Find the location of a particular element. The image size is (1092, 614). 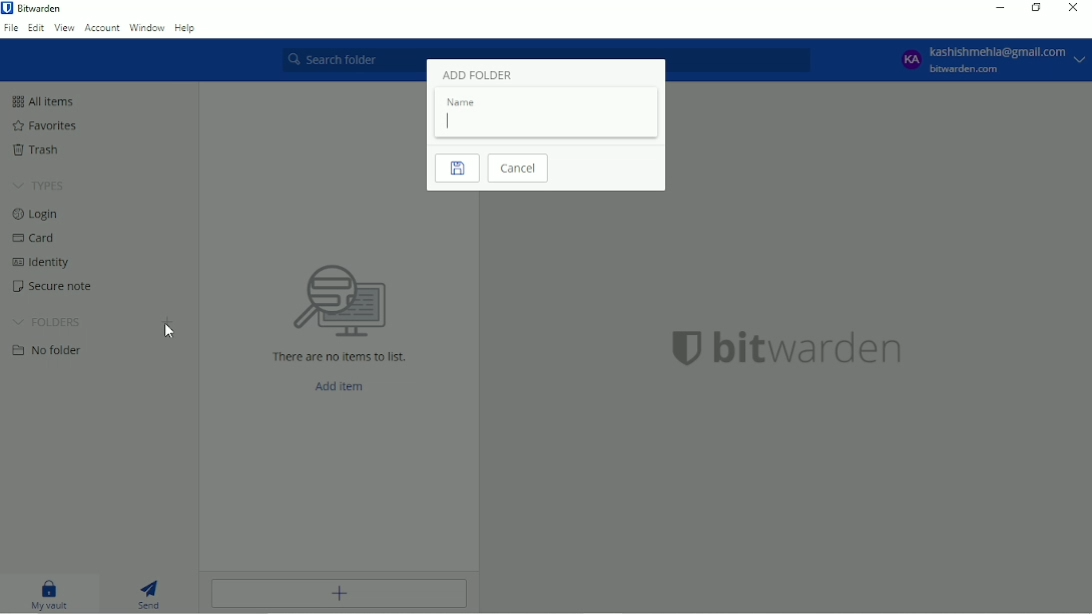

Folders is located at coordinates (47, 321).